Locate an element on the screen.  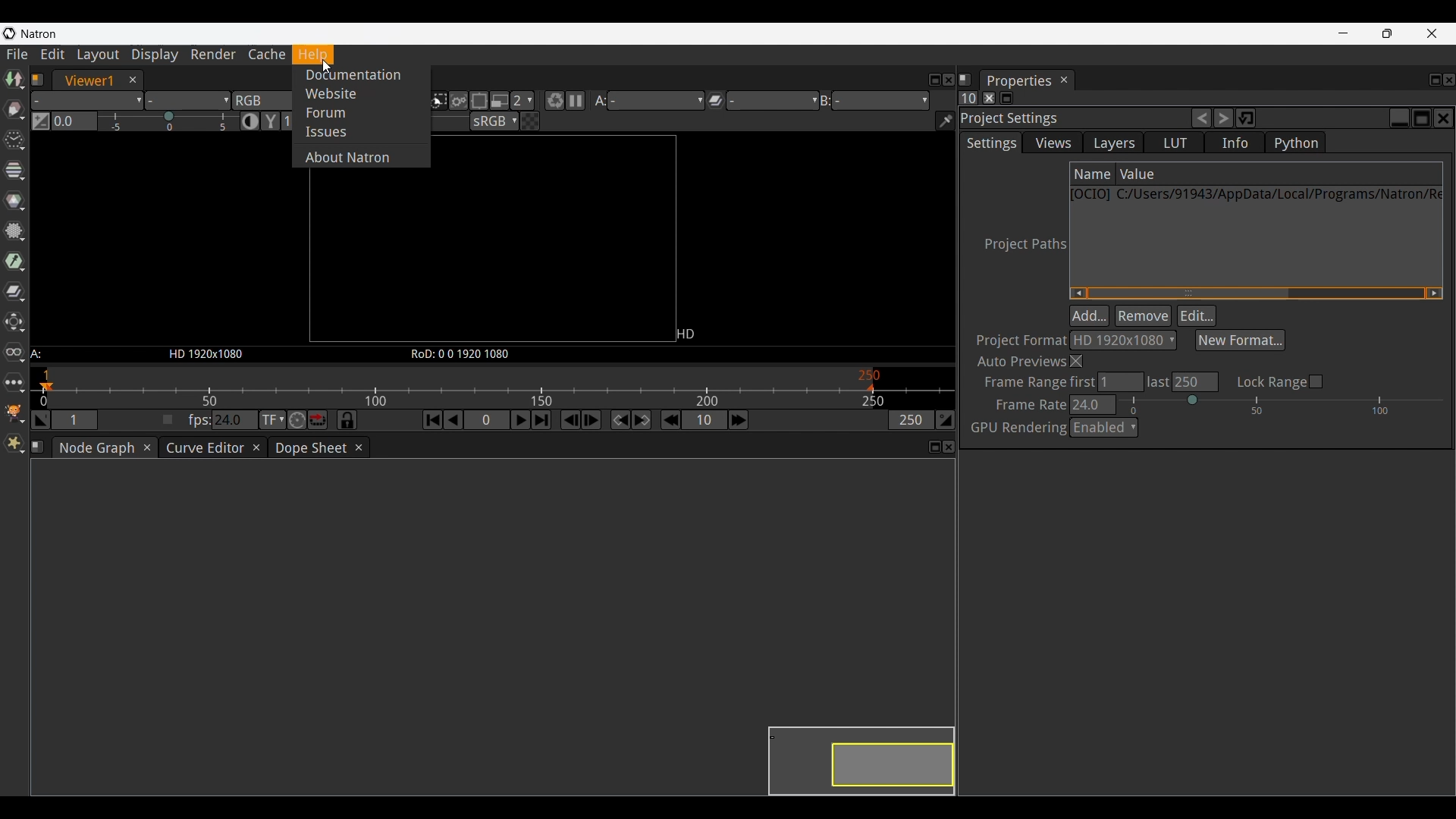
Next increment is located at coordinates (738, 420).